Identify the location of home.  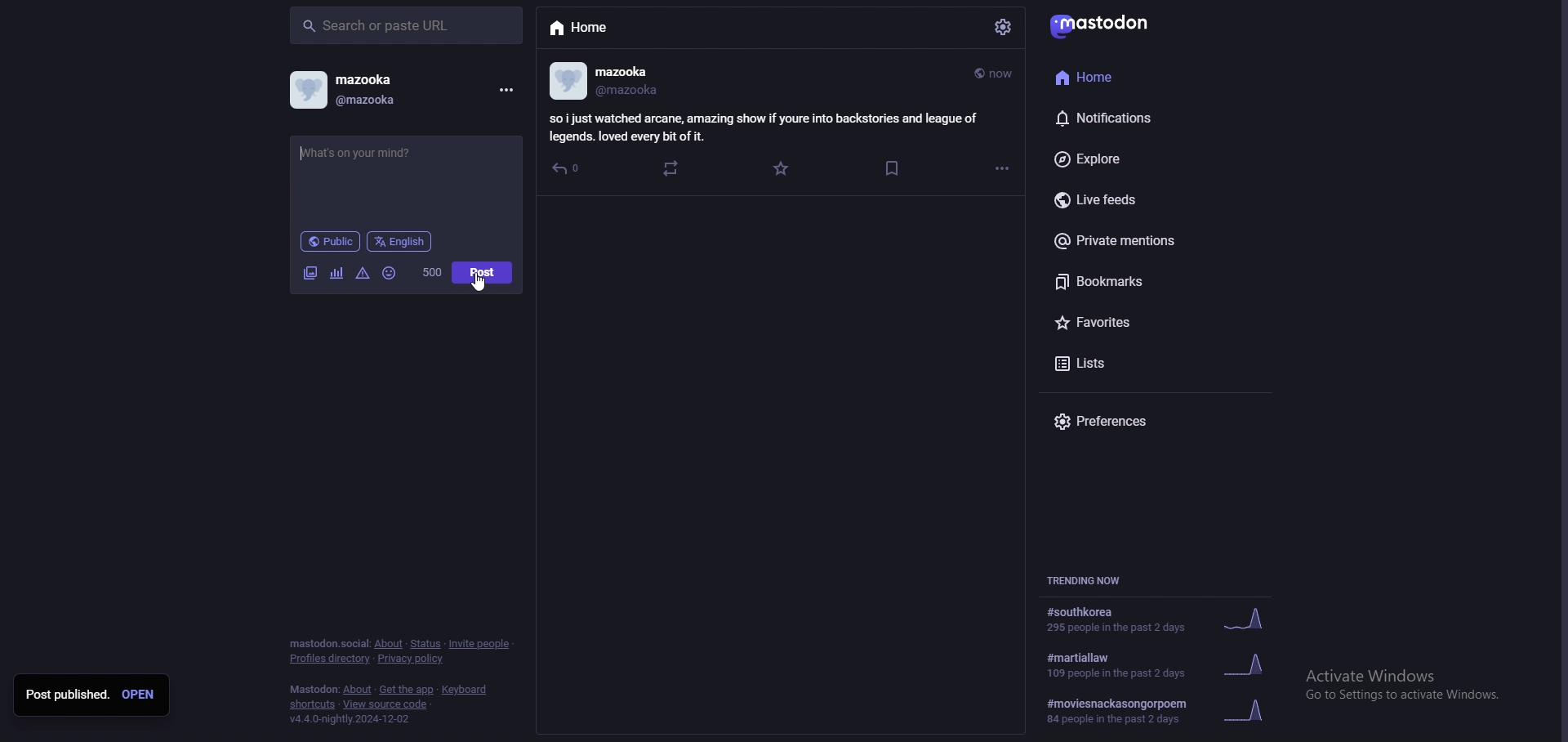
(584, 27).